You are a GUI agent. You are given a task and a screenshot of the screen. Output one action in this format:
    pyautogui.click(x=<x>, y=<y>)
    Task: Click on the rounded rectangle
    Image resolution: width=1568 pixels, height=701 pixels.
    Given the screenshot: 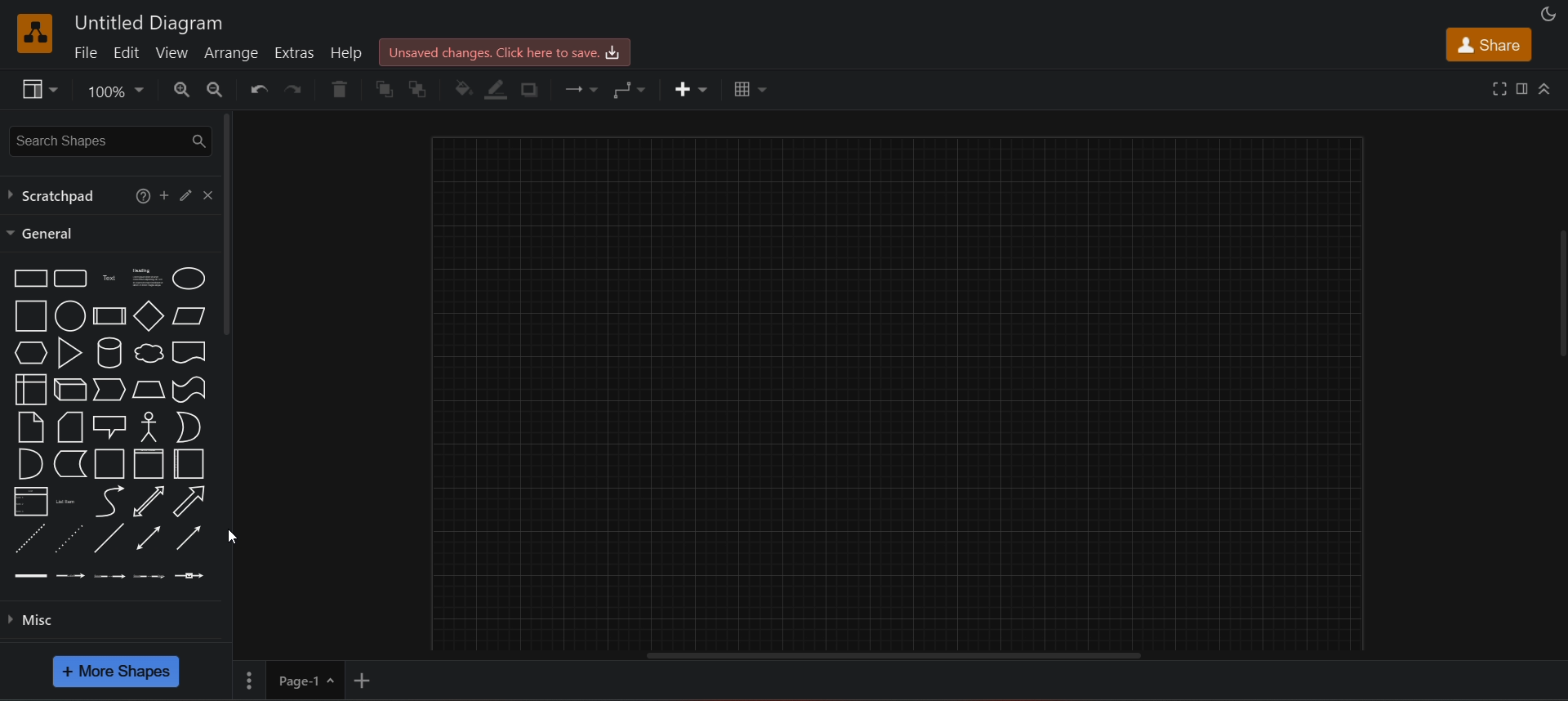 What is the action you would take?
    pyautogui.click(x=70, y=277)
    